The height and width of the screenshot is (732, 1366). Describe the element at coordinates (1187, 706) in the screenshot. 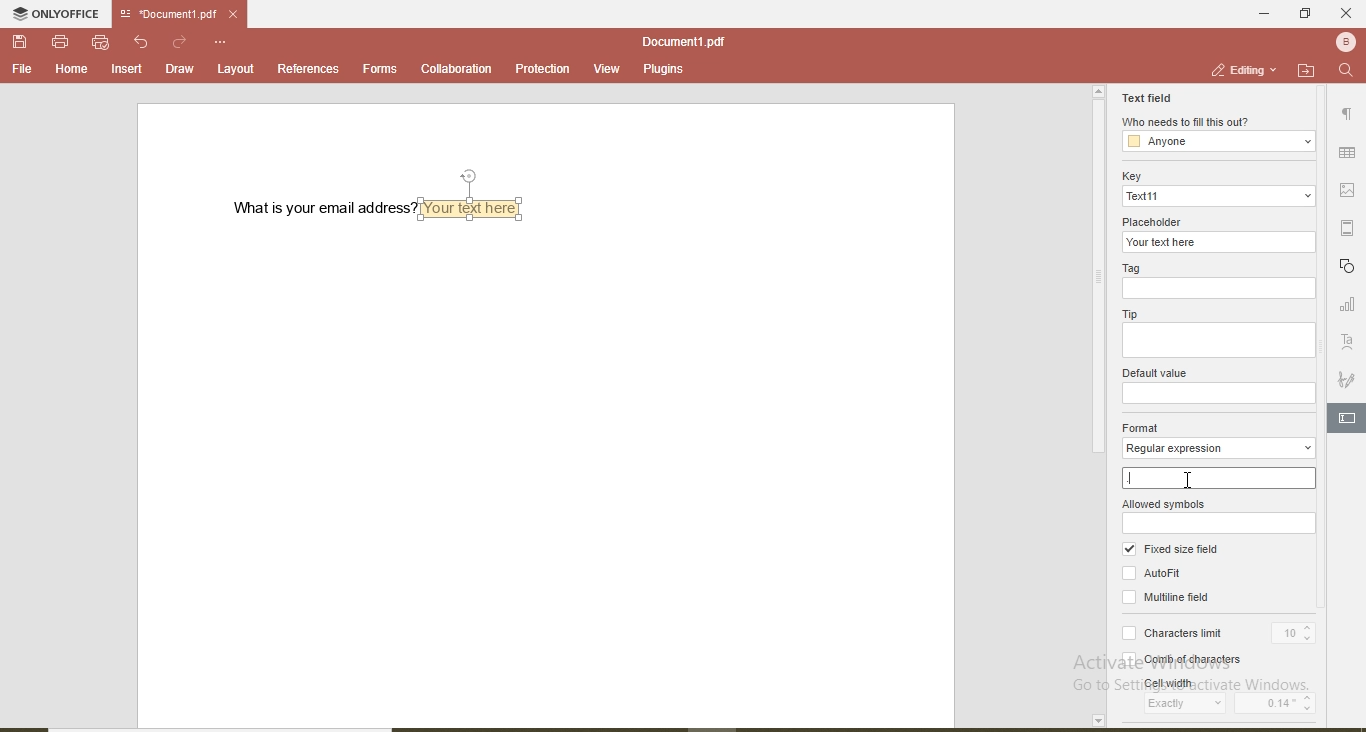

I see `exactly` at that location.